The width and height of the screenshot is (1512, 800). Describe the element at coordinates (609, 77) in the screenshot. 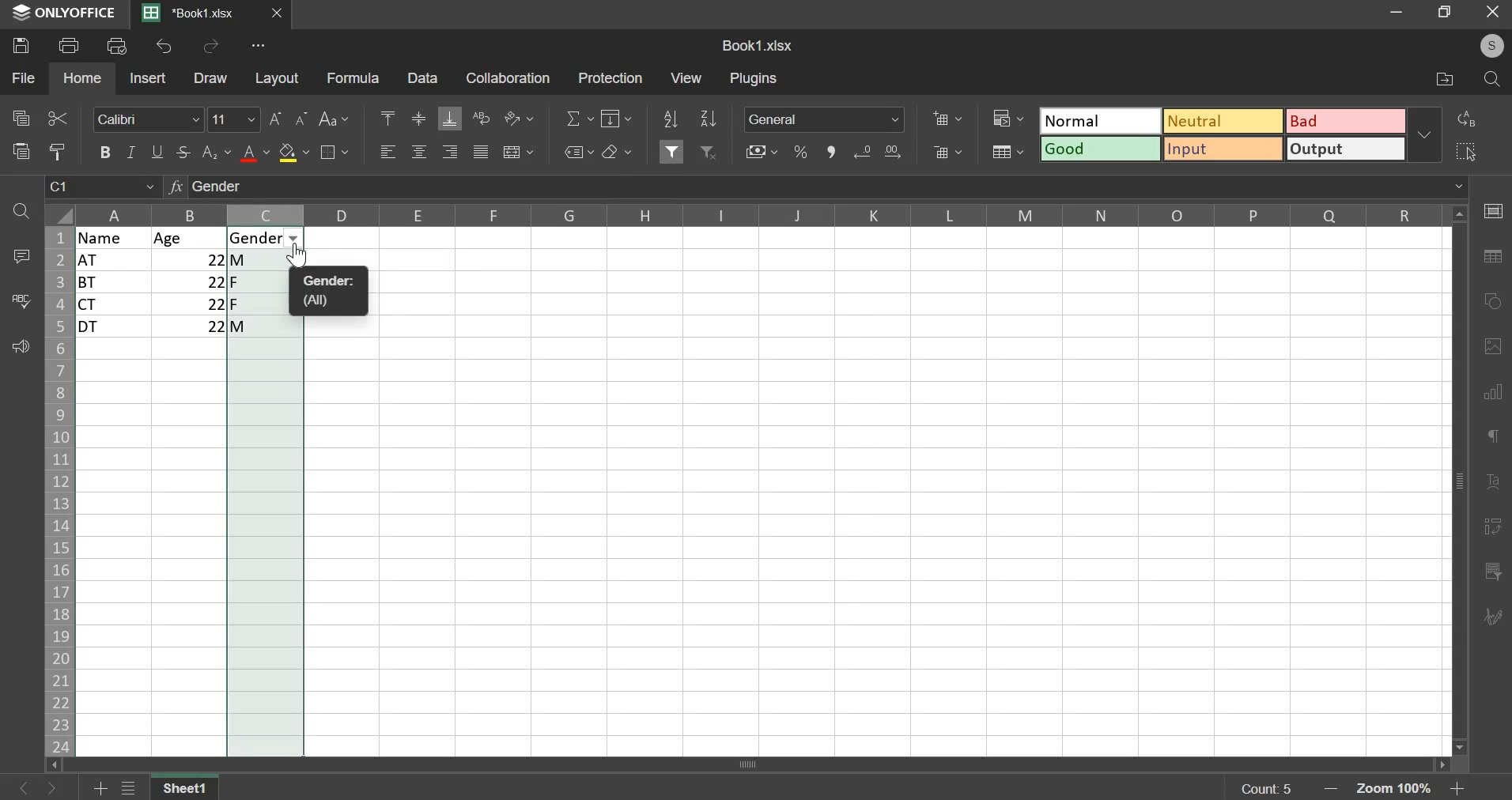

I see `protection` at that location.